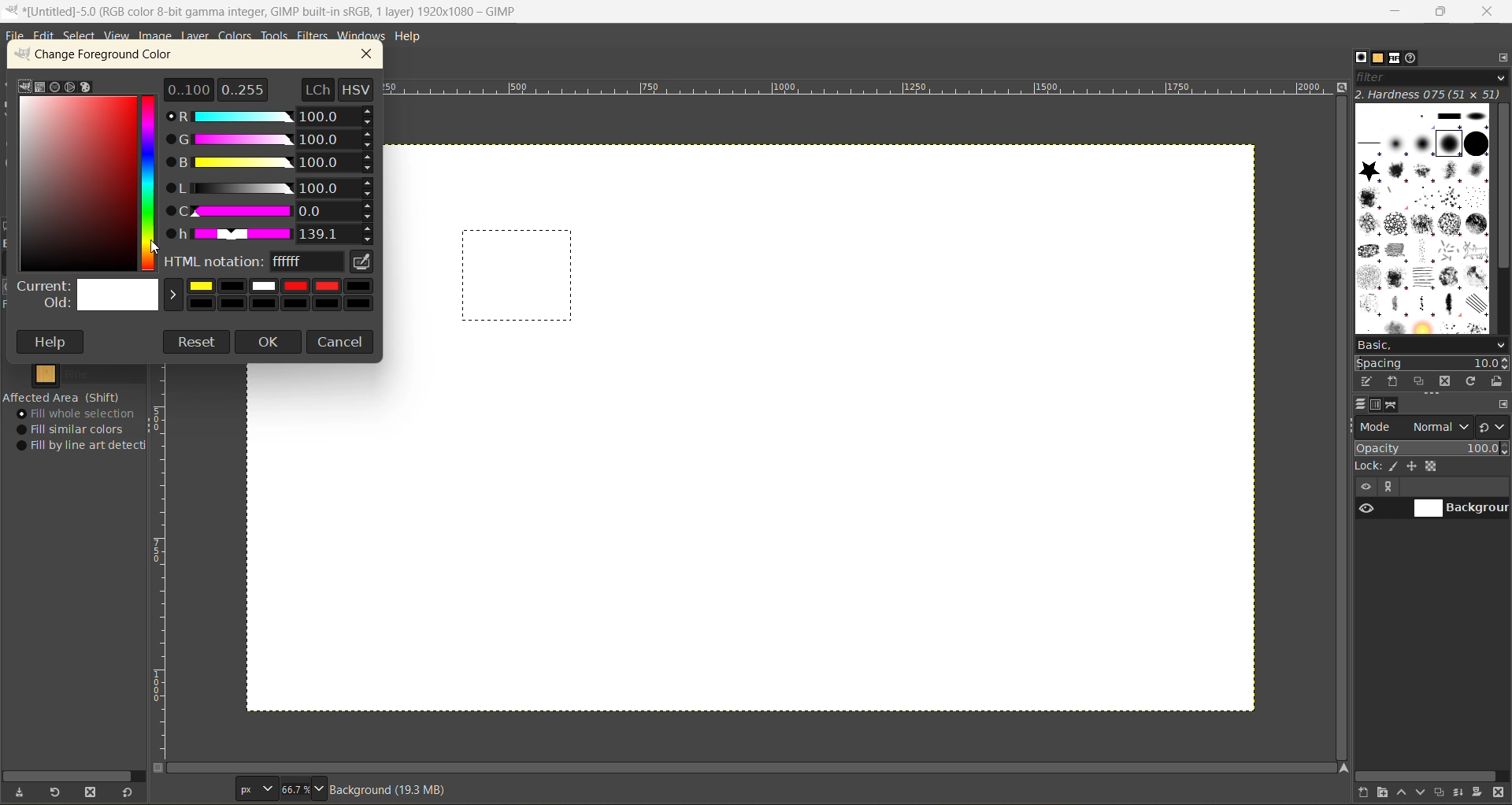  Describe the element at coordinates (1445, 380) in the screenshot. I see `delete this brush` at that location.